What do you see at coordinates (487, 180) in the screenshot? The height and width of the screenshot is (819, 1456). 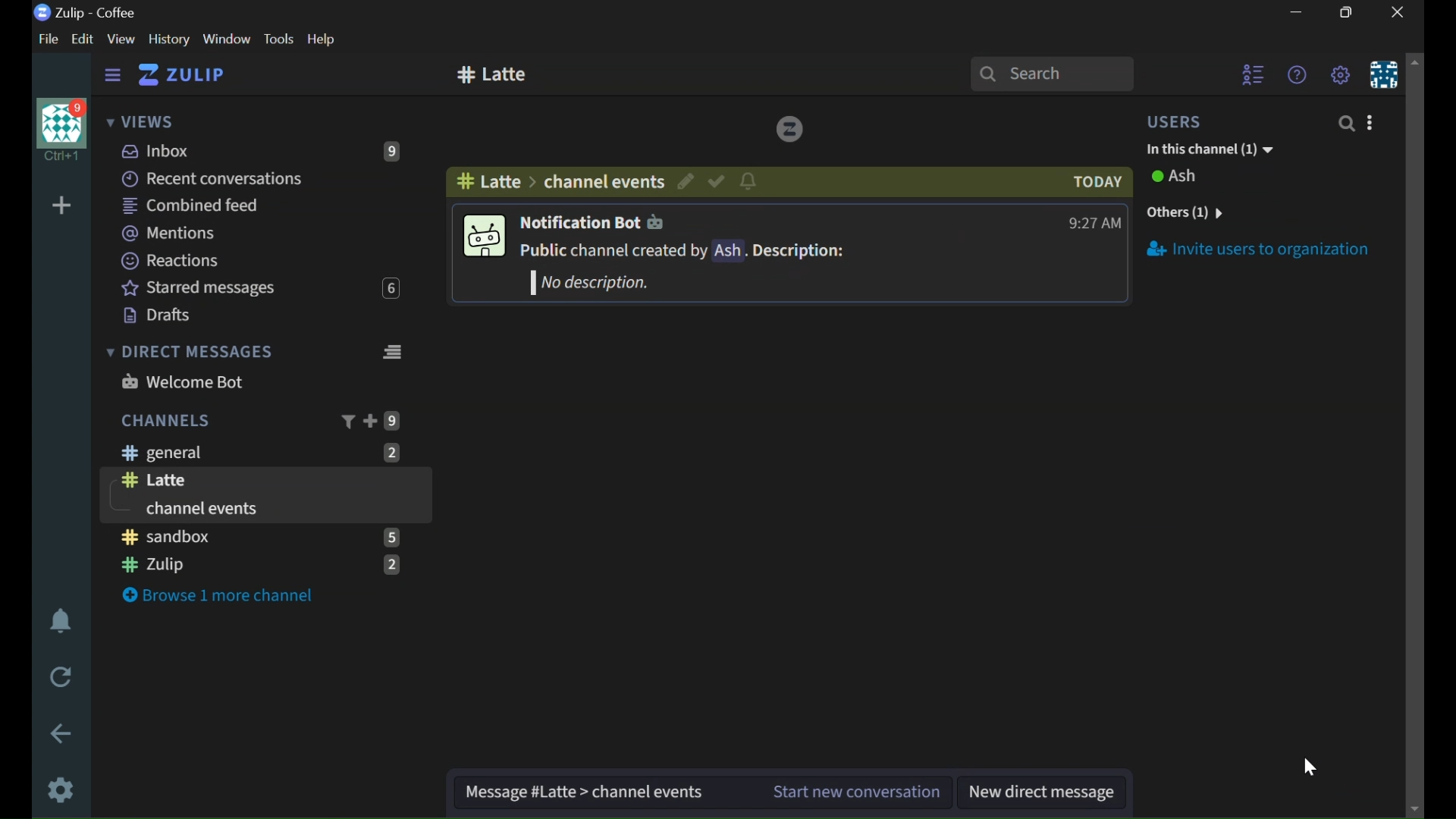 I see `latte` at bounding box center [487, 180].